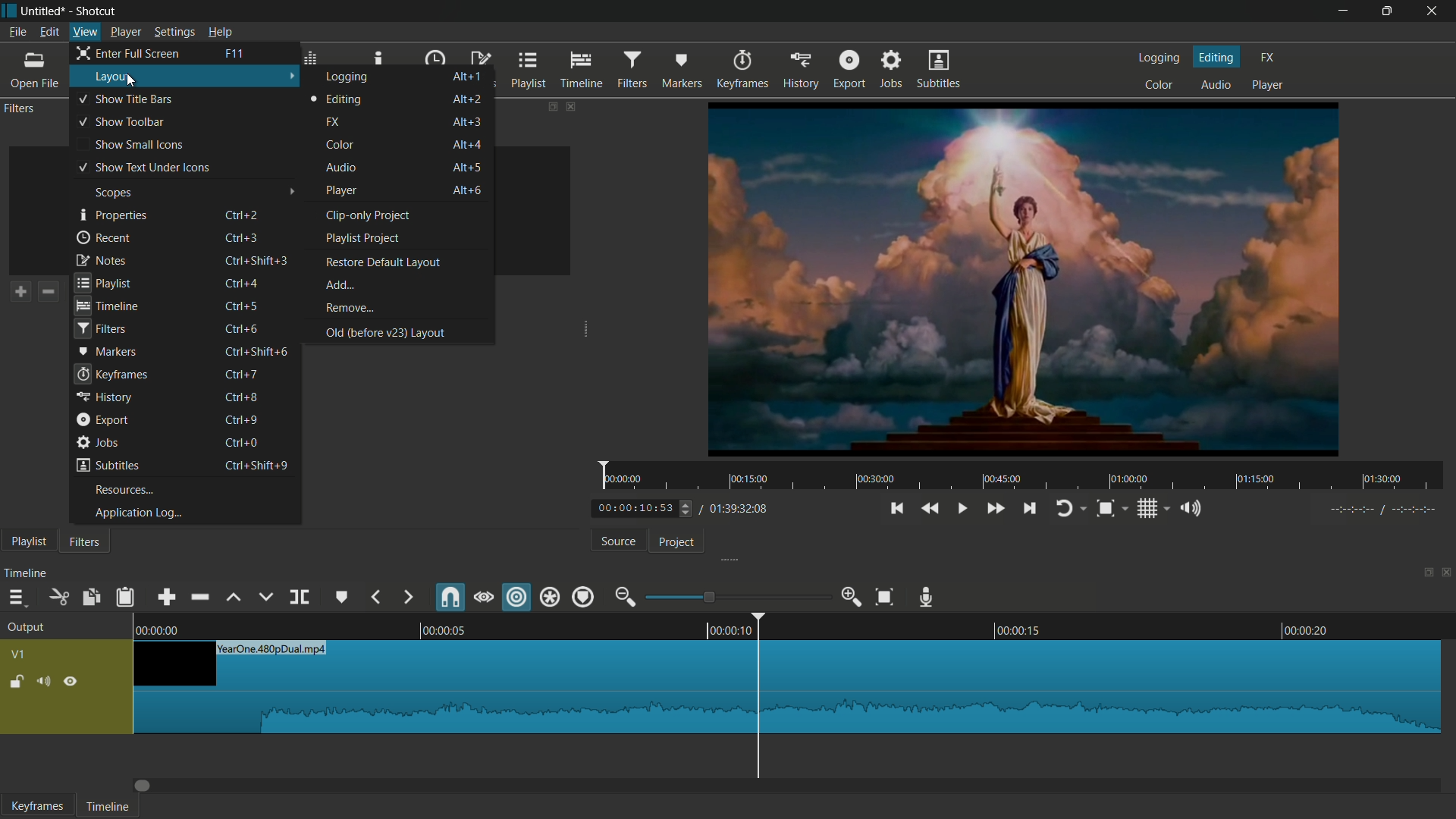  What do you see at coordinates (582, 71) in the screenshot?
I see `timeline` at bounding box center [582, 71].